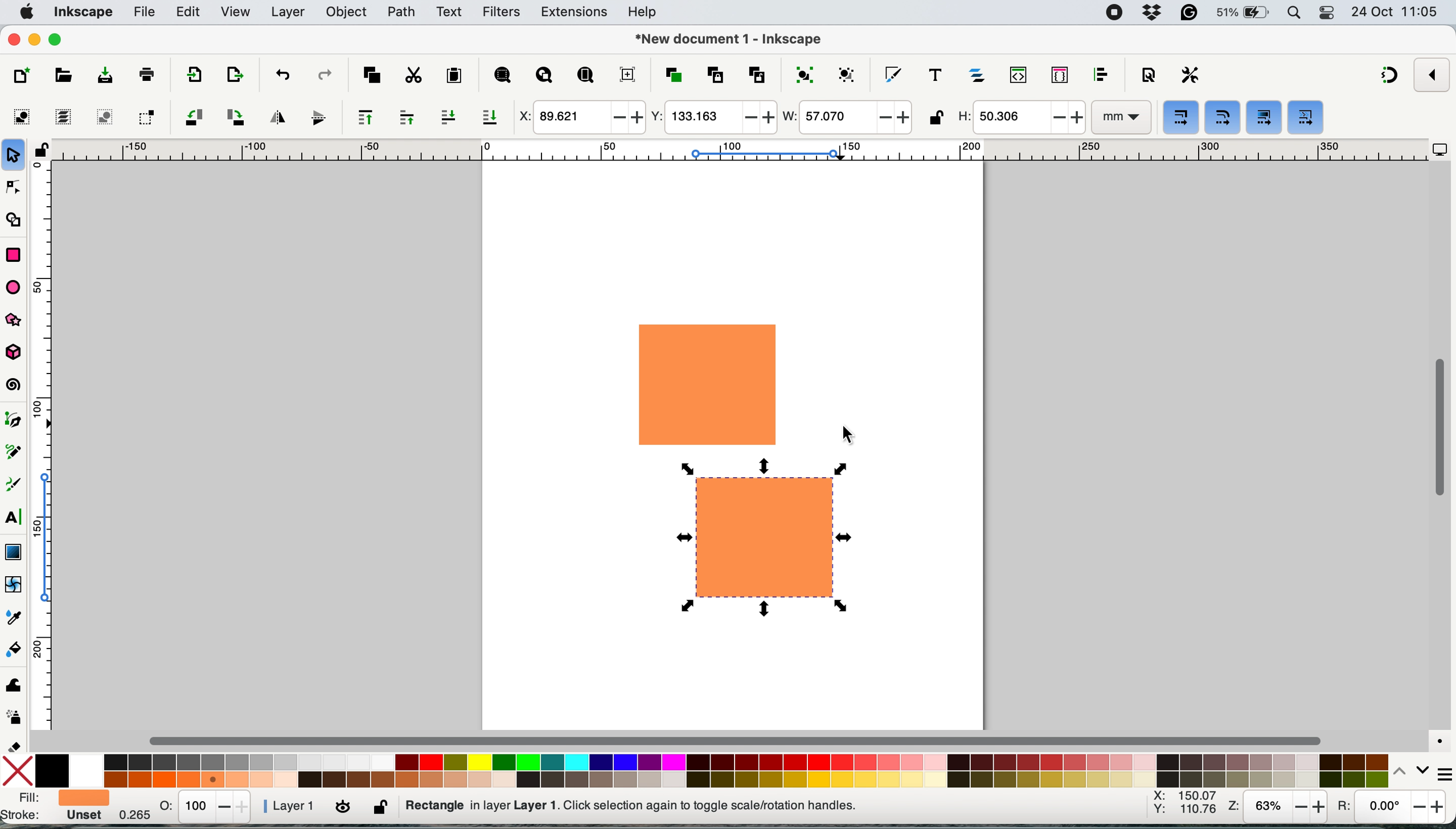  What do you see at coordinates (493, 118) in the screenshot?
I see `lower selection to bottom` at bounding box center [493, 118].